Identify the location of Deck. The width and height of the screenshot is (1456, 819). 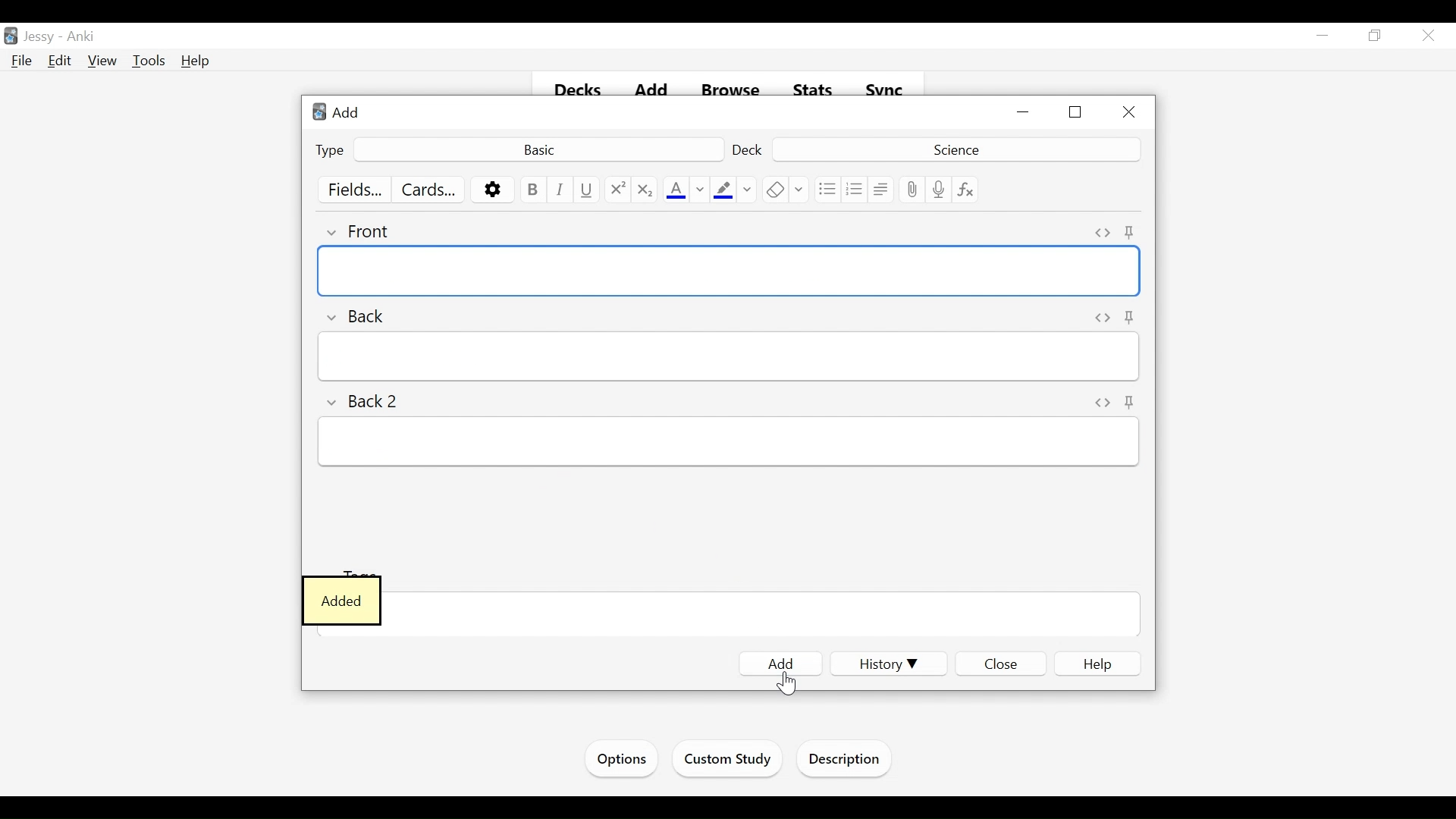
(749, 149).